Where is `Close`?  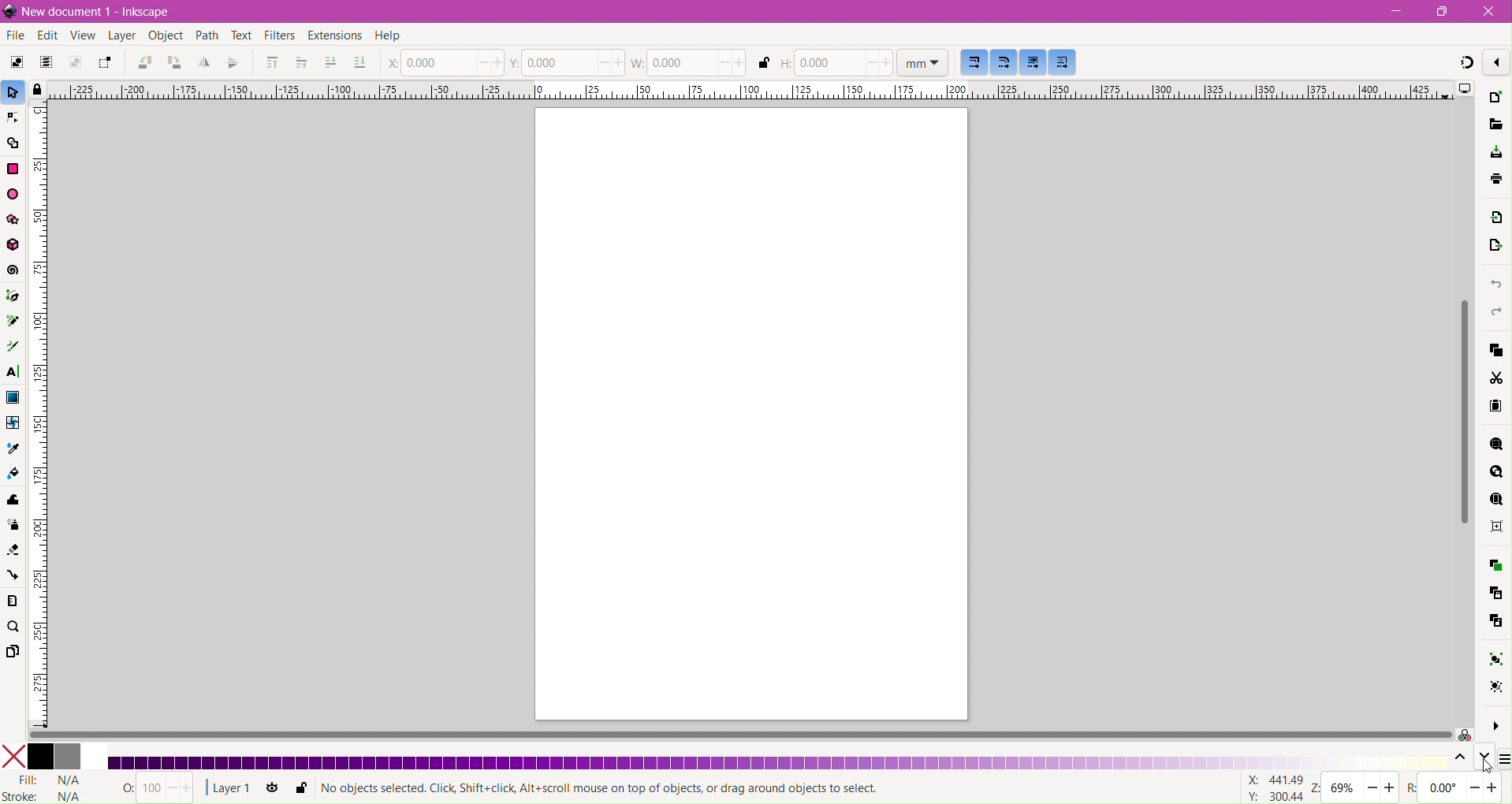 Close is located at coordinates (1488, 11).